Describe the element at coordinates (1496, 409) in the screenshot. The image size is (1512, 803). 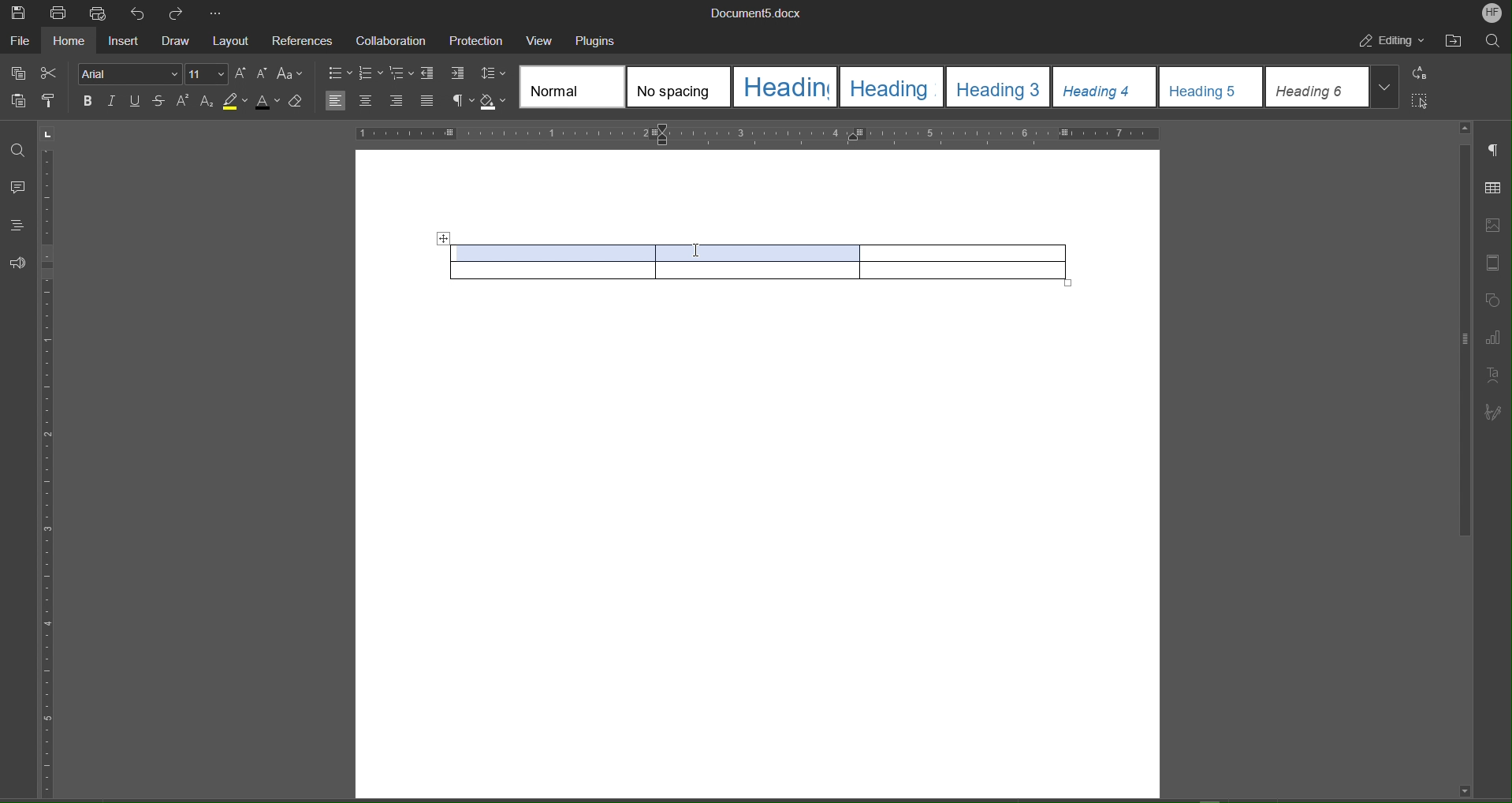
I see `Signature` at that location.